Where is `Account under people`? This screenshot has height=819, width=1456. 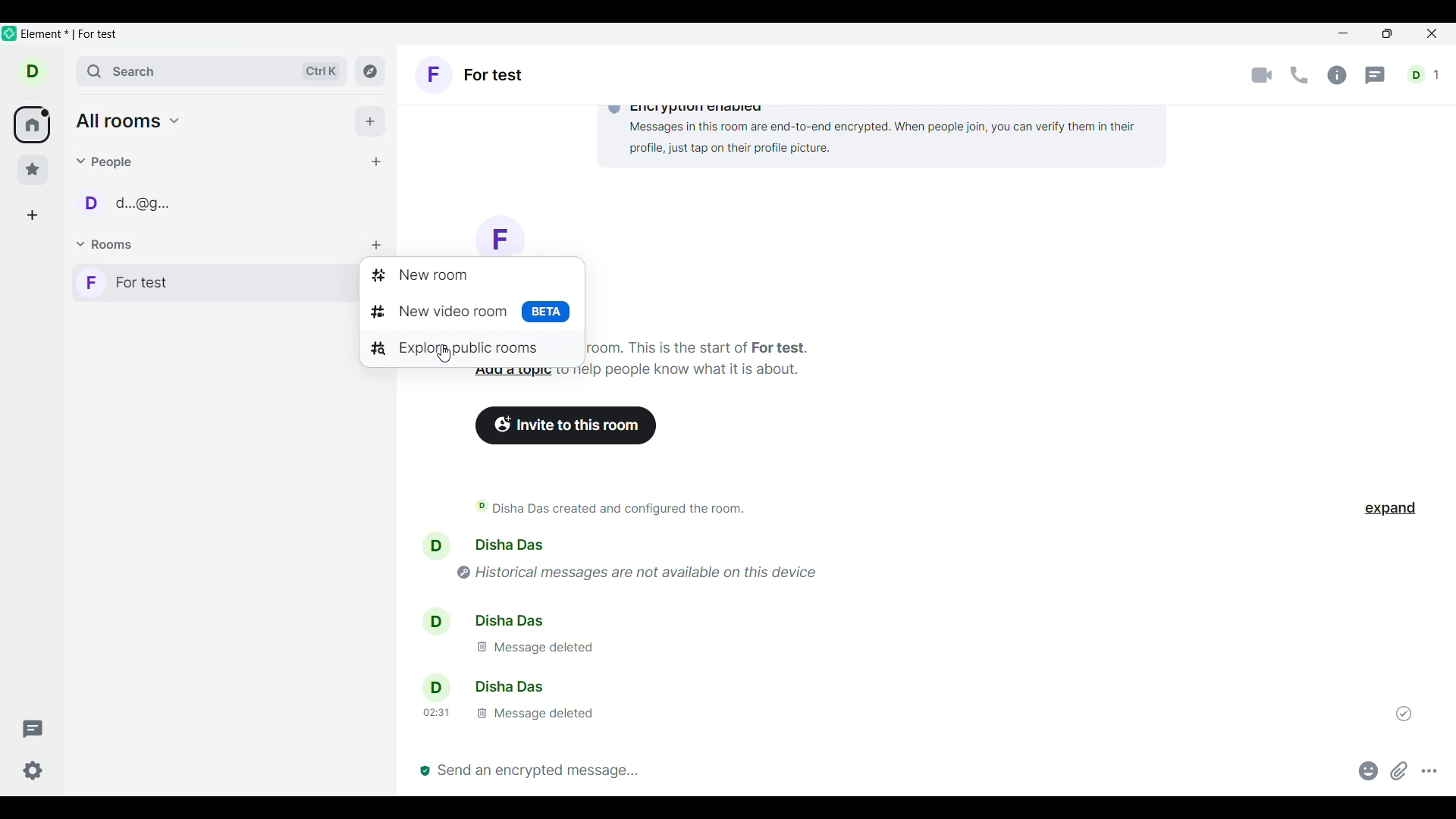
Account under people is located at coordinates (130, 202).